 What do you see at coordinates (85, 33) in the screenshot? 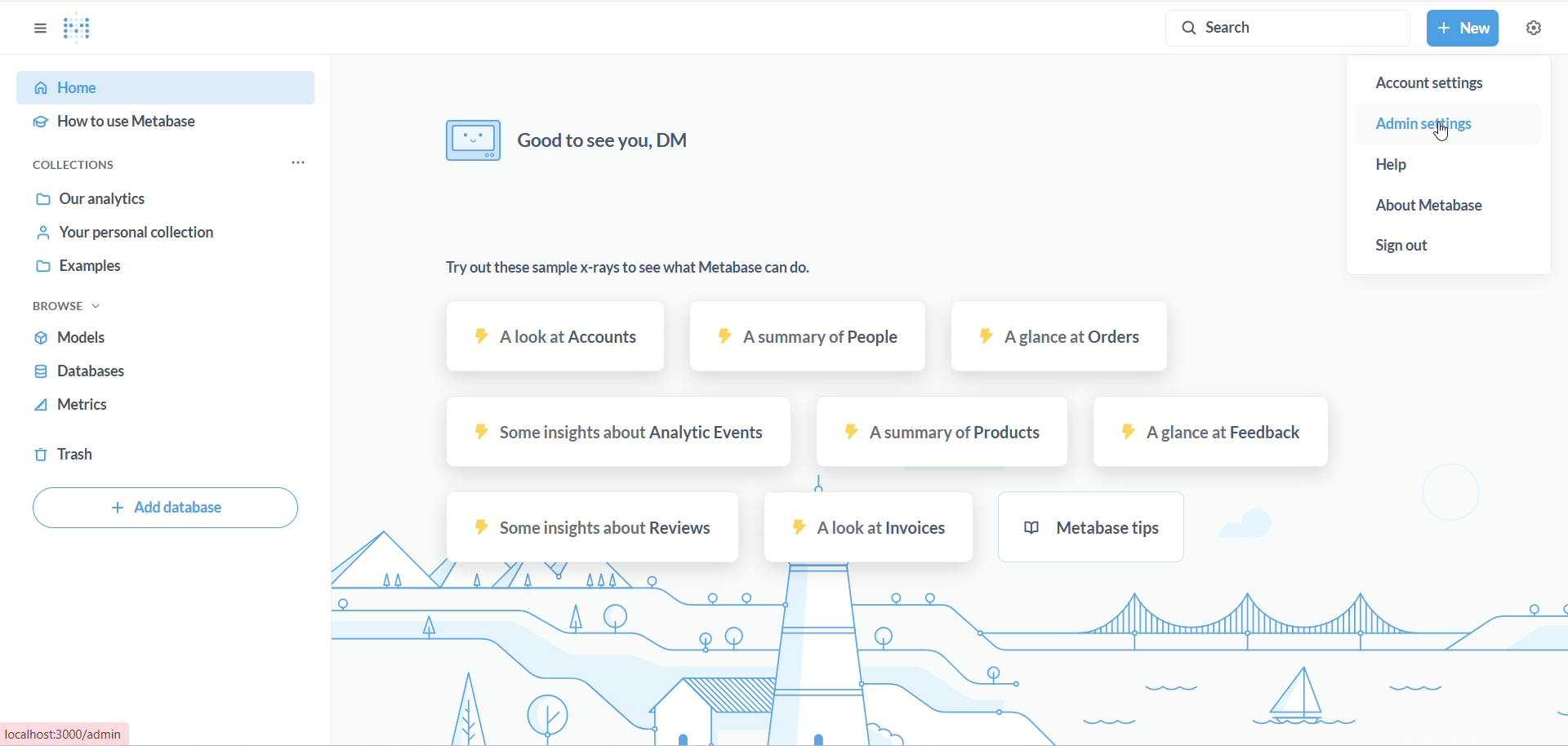
I see `logo` at bounding box center [85, 33].